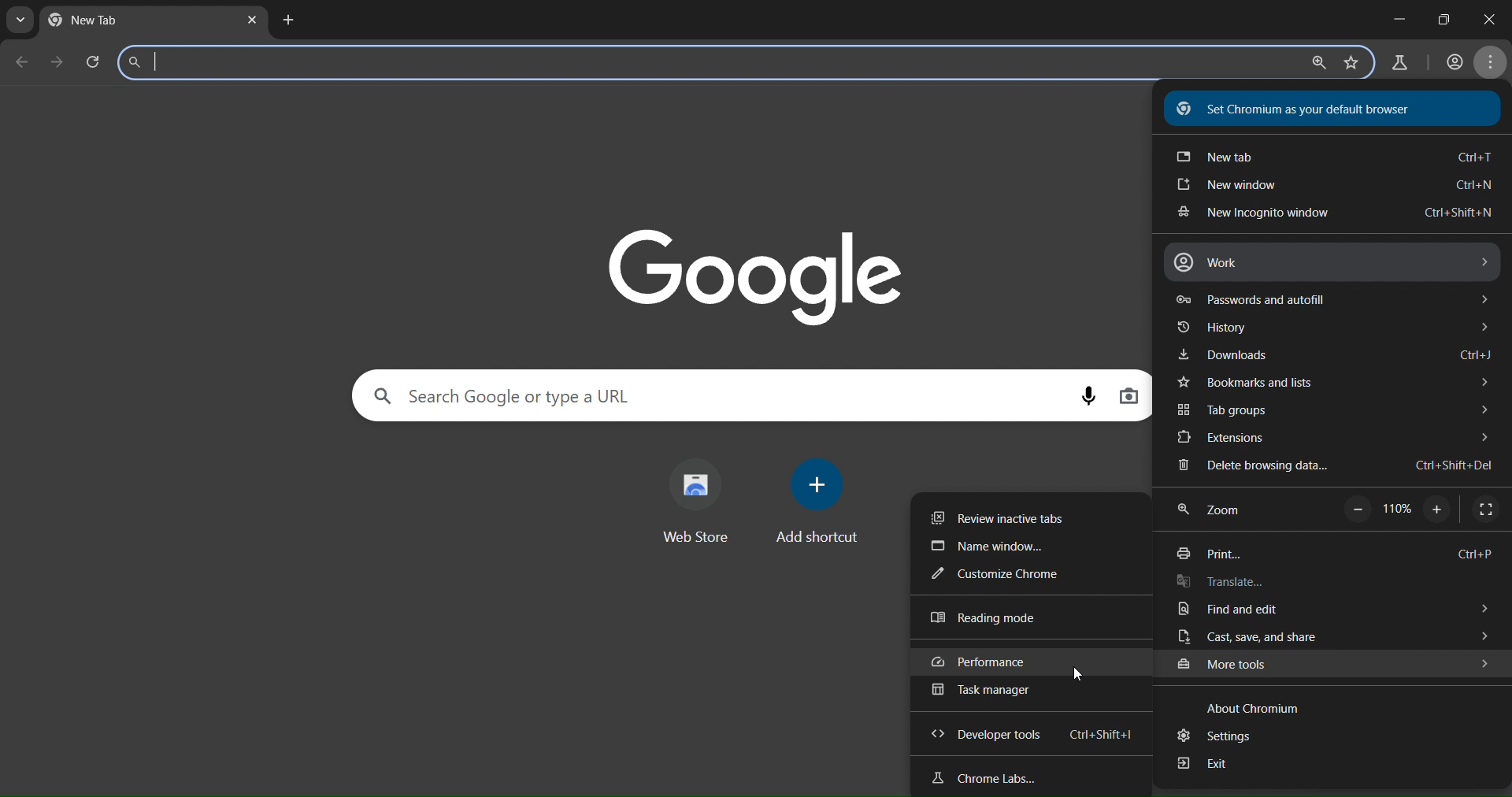  I want to click on reading mode, so click(991, 618).